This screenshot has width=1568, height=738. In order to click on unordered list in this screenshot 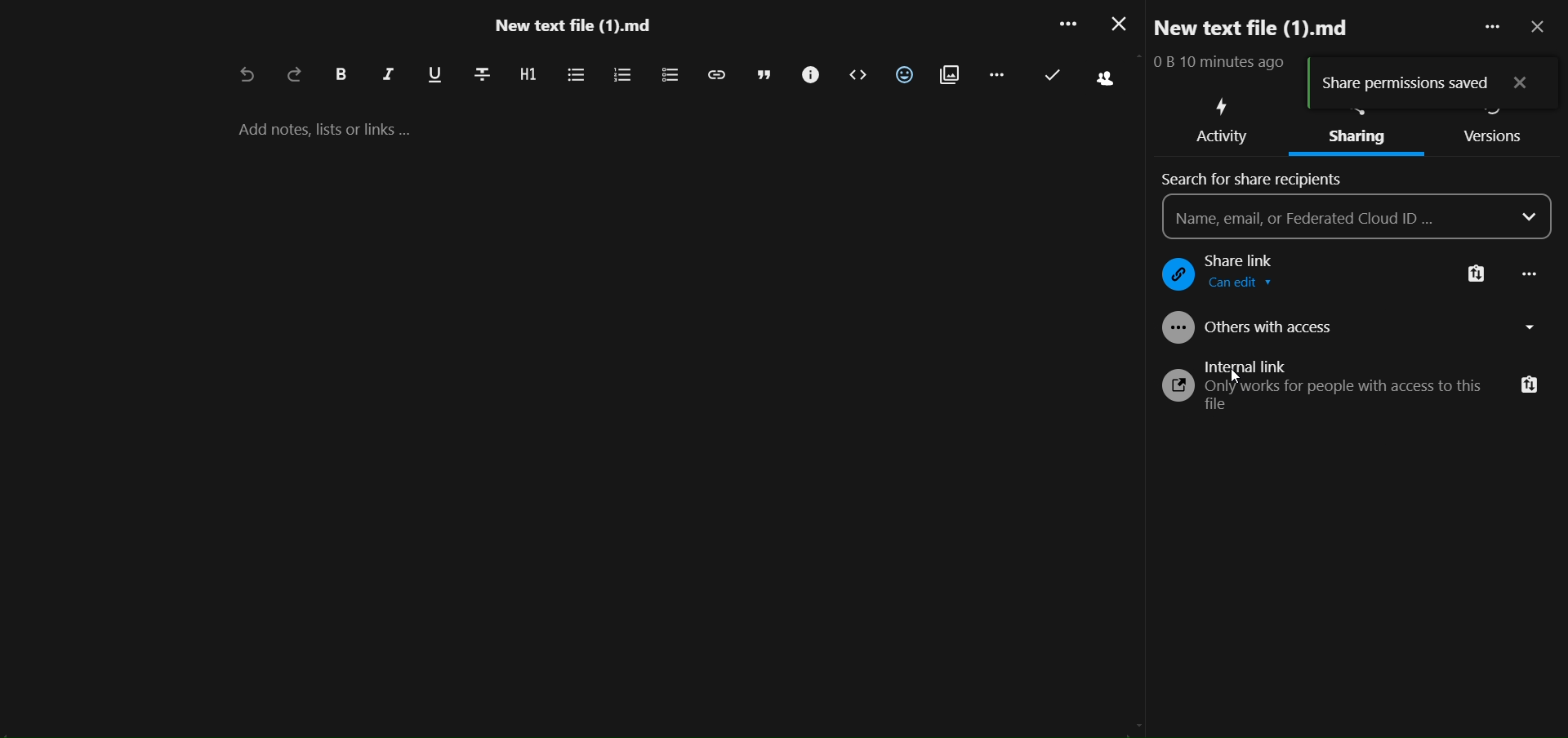, I will do `click(574, 75)`.